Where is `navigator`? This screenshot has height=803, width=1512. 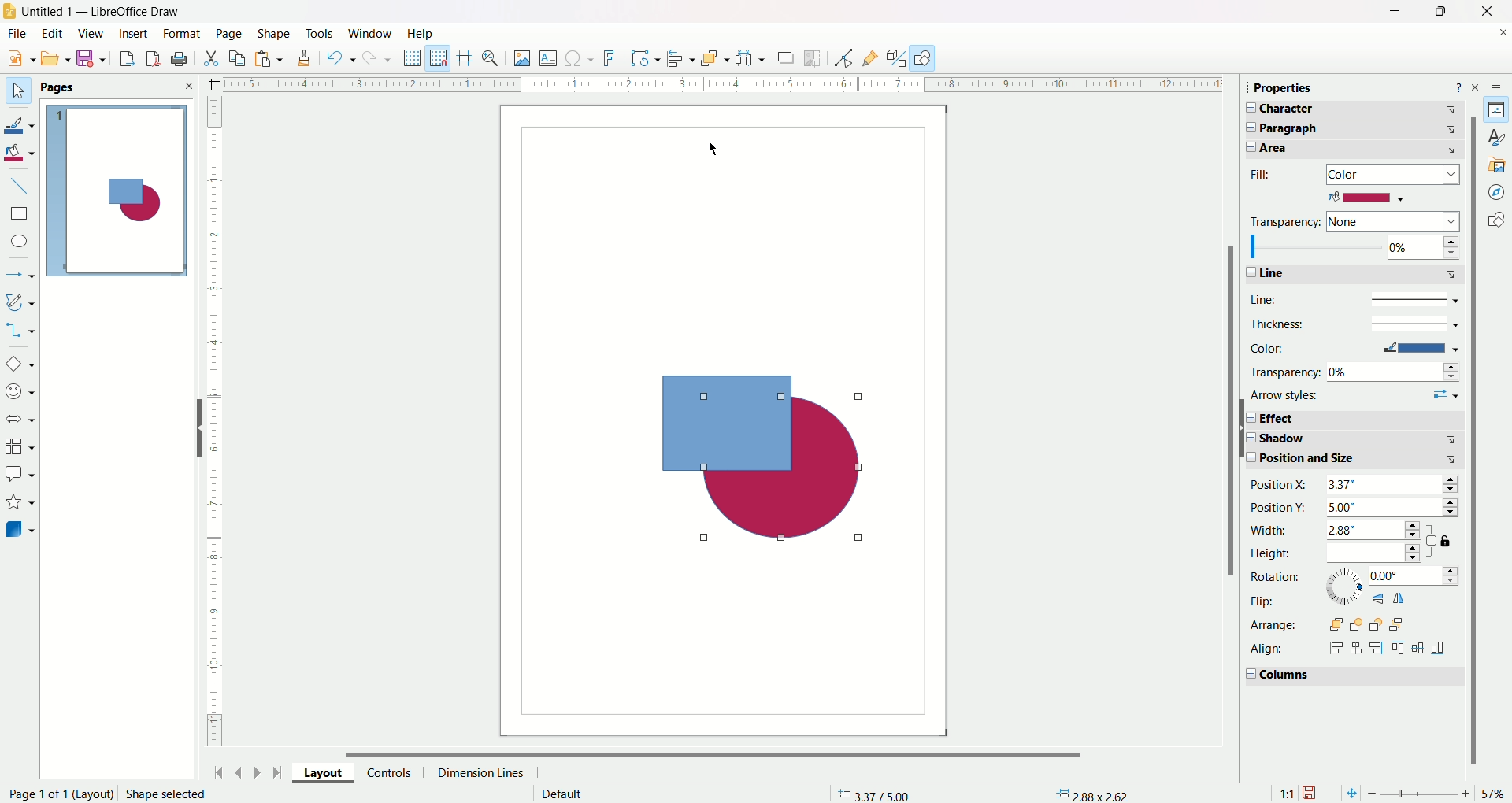 navigator is located at coordinates (1497, 191).